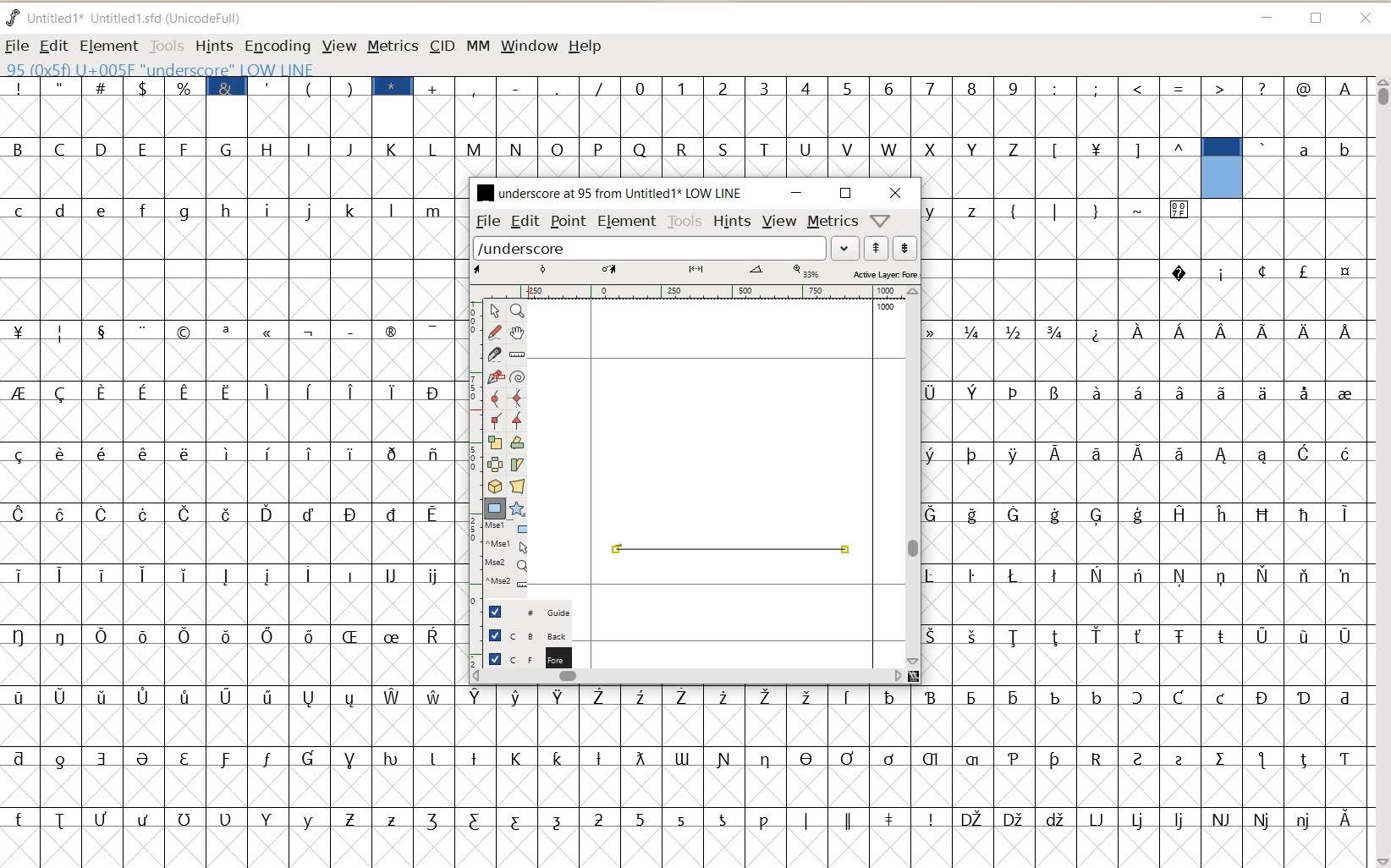 The image size is (1391, 868). Describe the element at coordinates (779, 219) in the screenshot. I see `VIEW` at that location.